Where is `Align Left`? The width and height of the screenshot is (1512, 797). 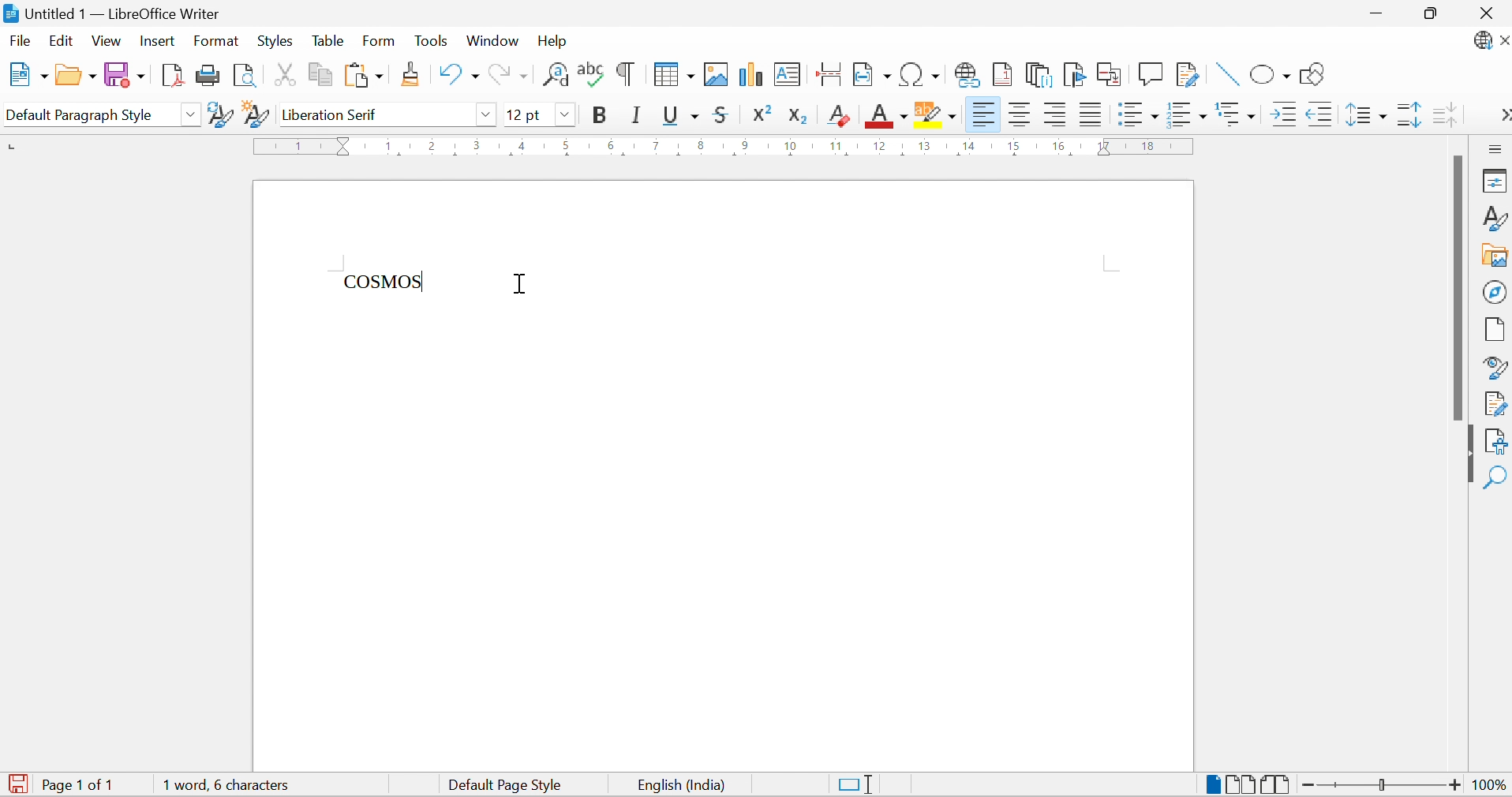 Align Left is located at coordinates (1056, 114).